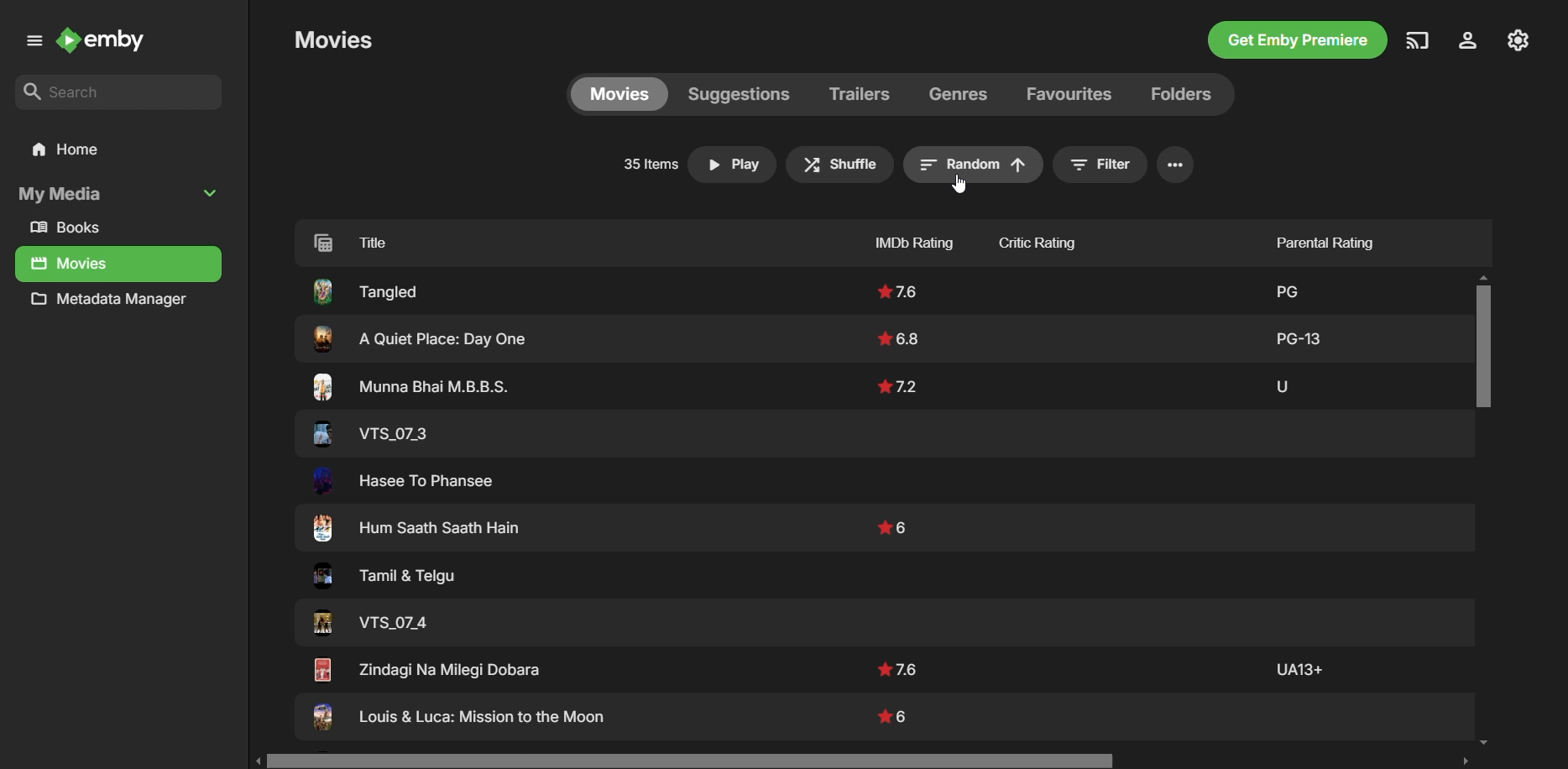 Image resolution: width=1568 pixels, height=769 pixels. What do you see at coordinates (412, 387) in the screenshot?
I see `` at bounding box center [412, 387].